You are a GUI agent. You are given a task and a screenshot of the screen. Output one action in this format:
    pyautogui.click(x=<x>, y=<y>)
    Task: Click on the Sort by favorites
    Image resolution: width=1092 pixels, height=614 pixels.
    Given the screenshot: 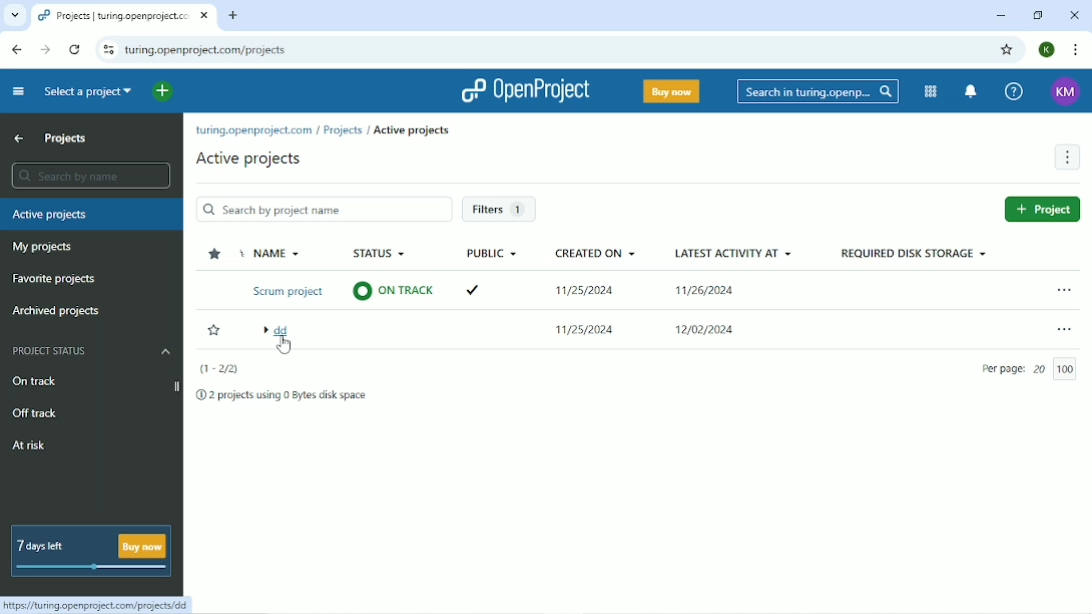 What is the action you would take?
    pyautogui.click(x=218, y=253)
    